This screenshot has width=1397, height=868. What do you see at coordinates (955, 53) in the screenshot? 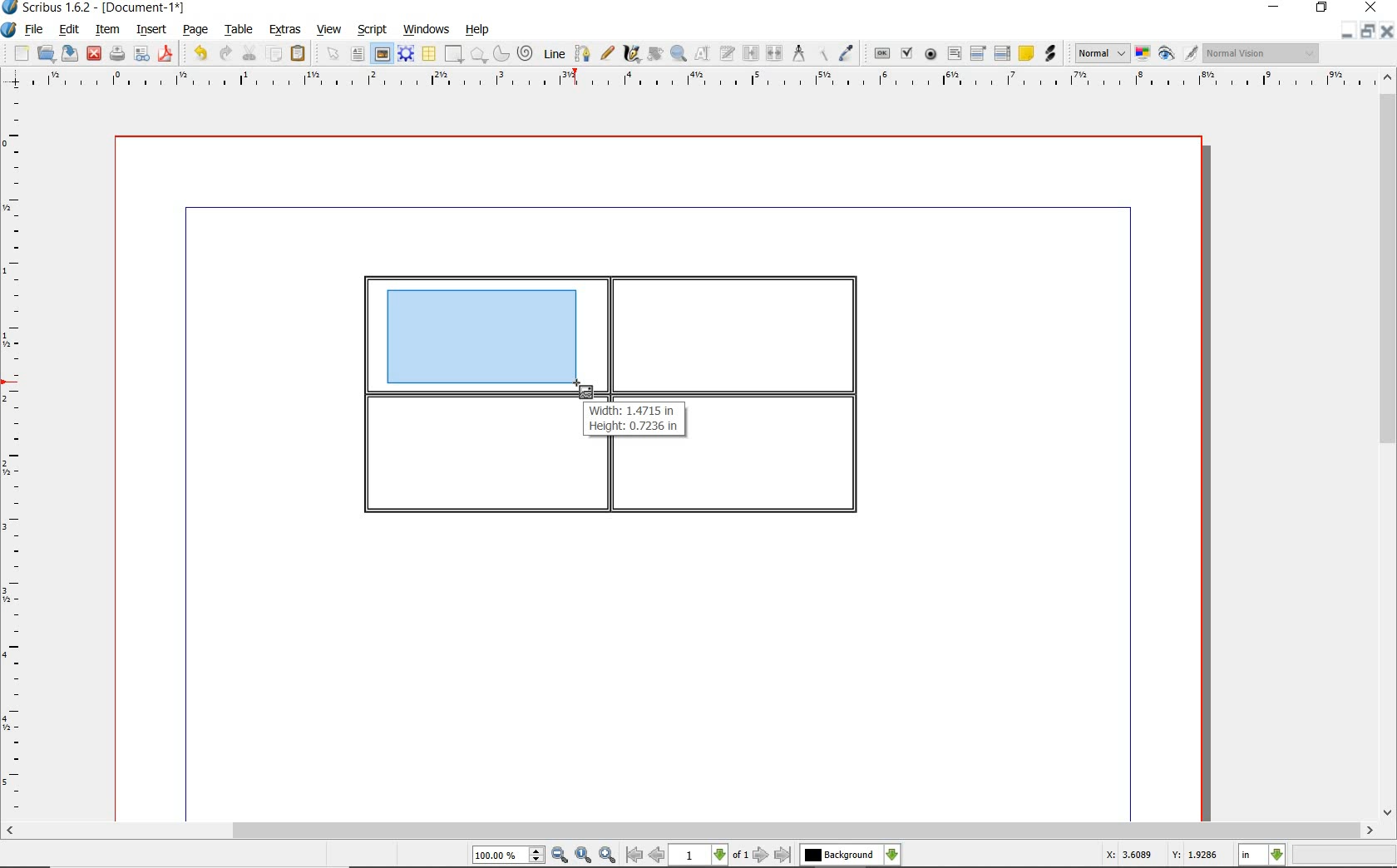
I see `pdf text field` at bounding box center [955, 53].